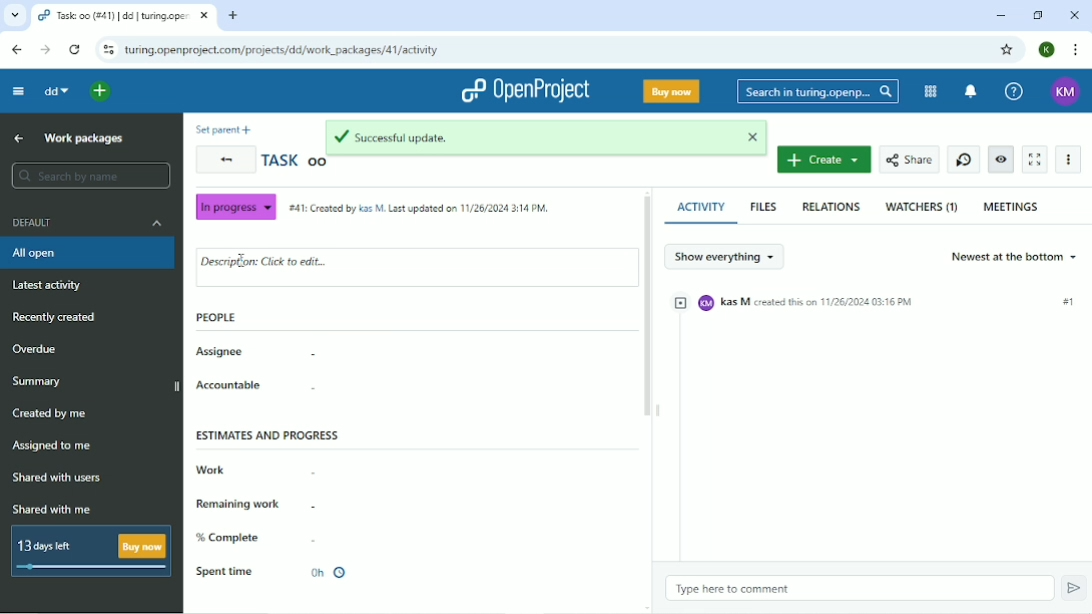 Image resolution: width=1092 pixels, height=614 pixels. I want to click on Up, so click(20, 139).